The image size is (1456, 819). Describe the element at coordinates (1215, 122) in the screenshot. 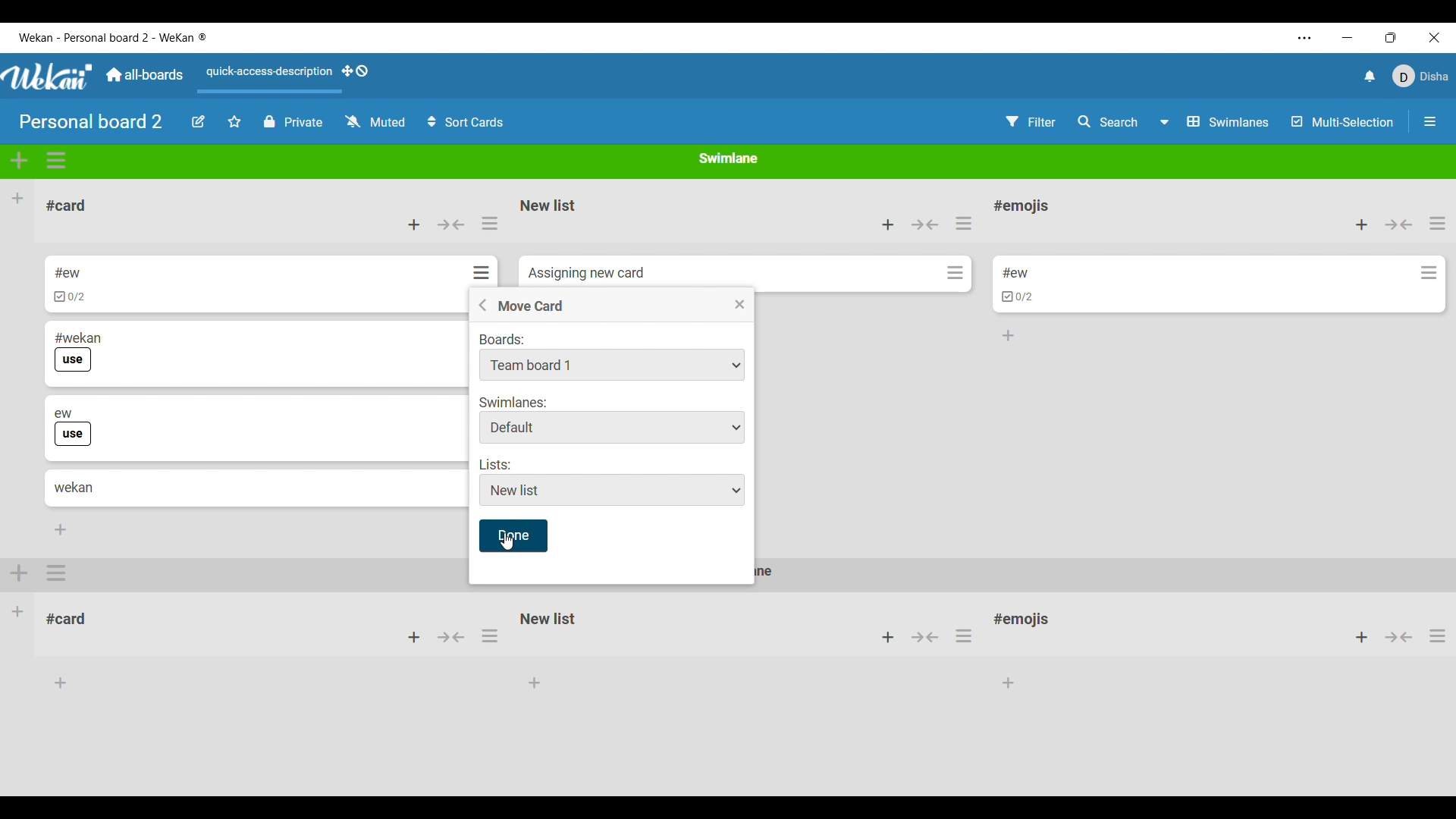

I see `Board view options` at that location.